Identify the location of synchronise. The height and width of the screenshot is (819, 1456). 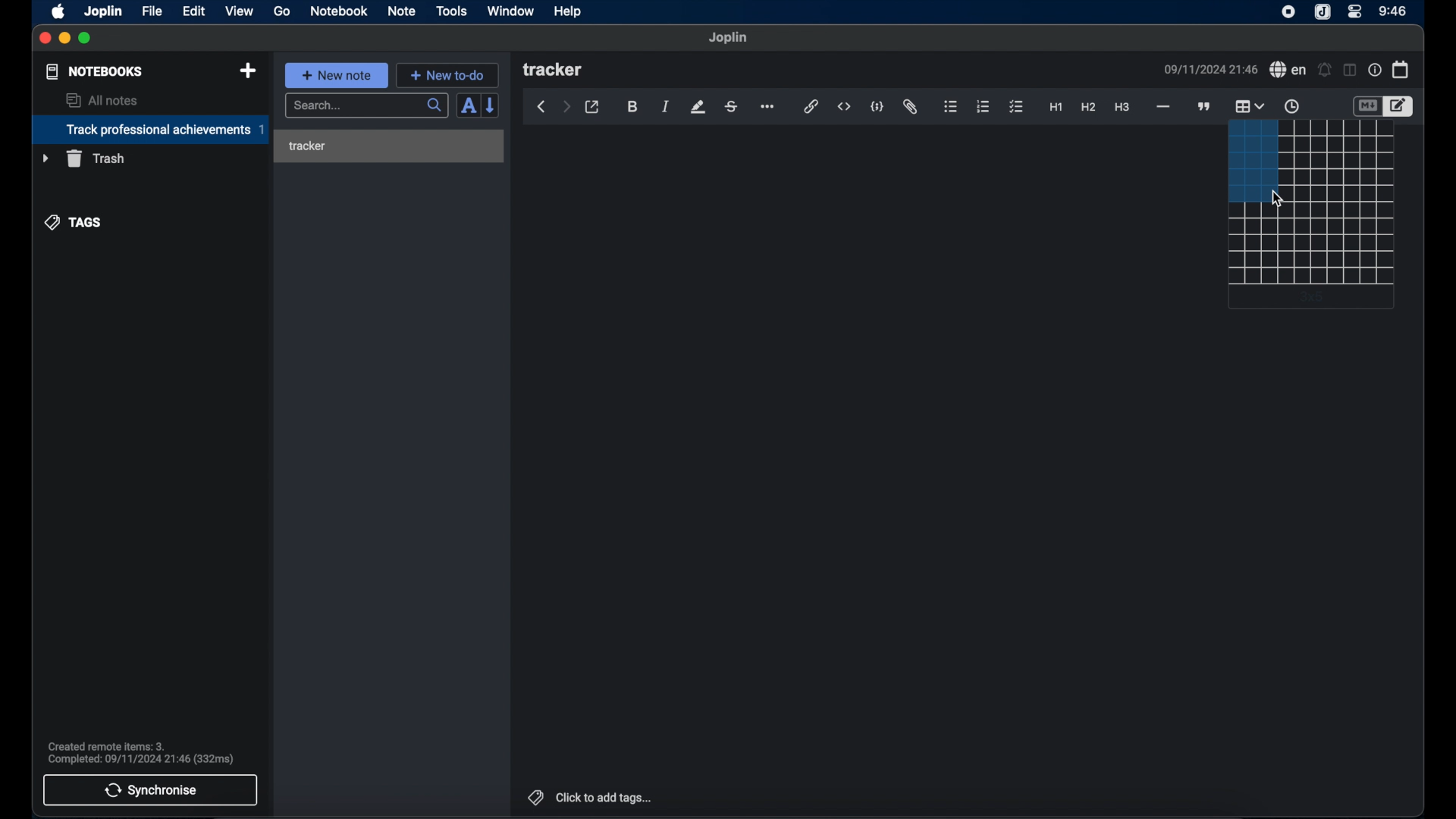
(151, 790).